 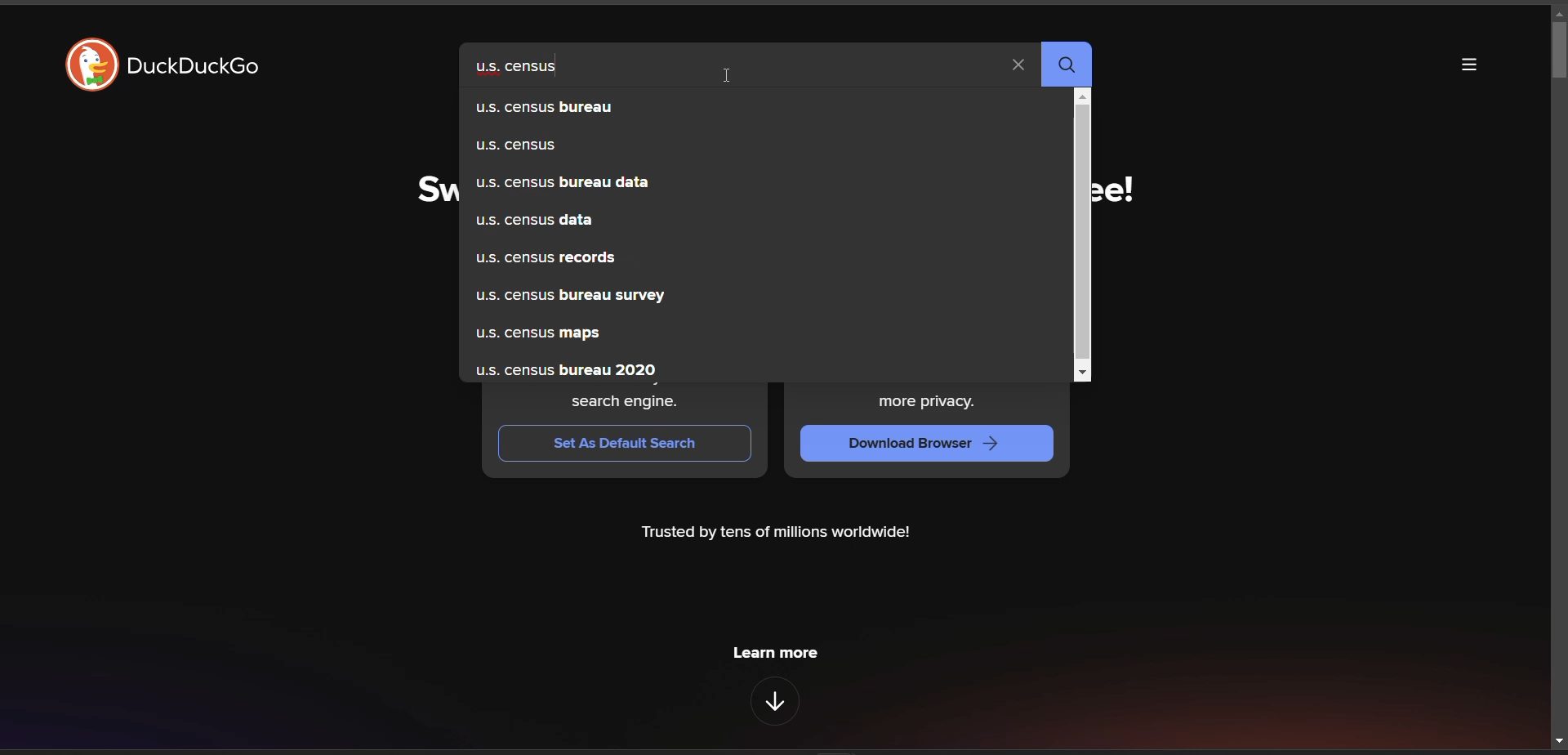 What do you see at coordinates (626, 398) in the screenshot?
I see `Make DuckDuckGo your default search engine.` at bounding box center [626, 398].